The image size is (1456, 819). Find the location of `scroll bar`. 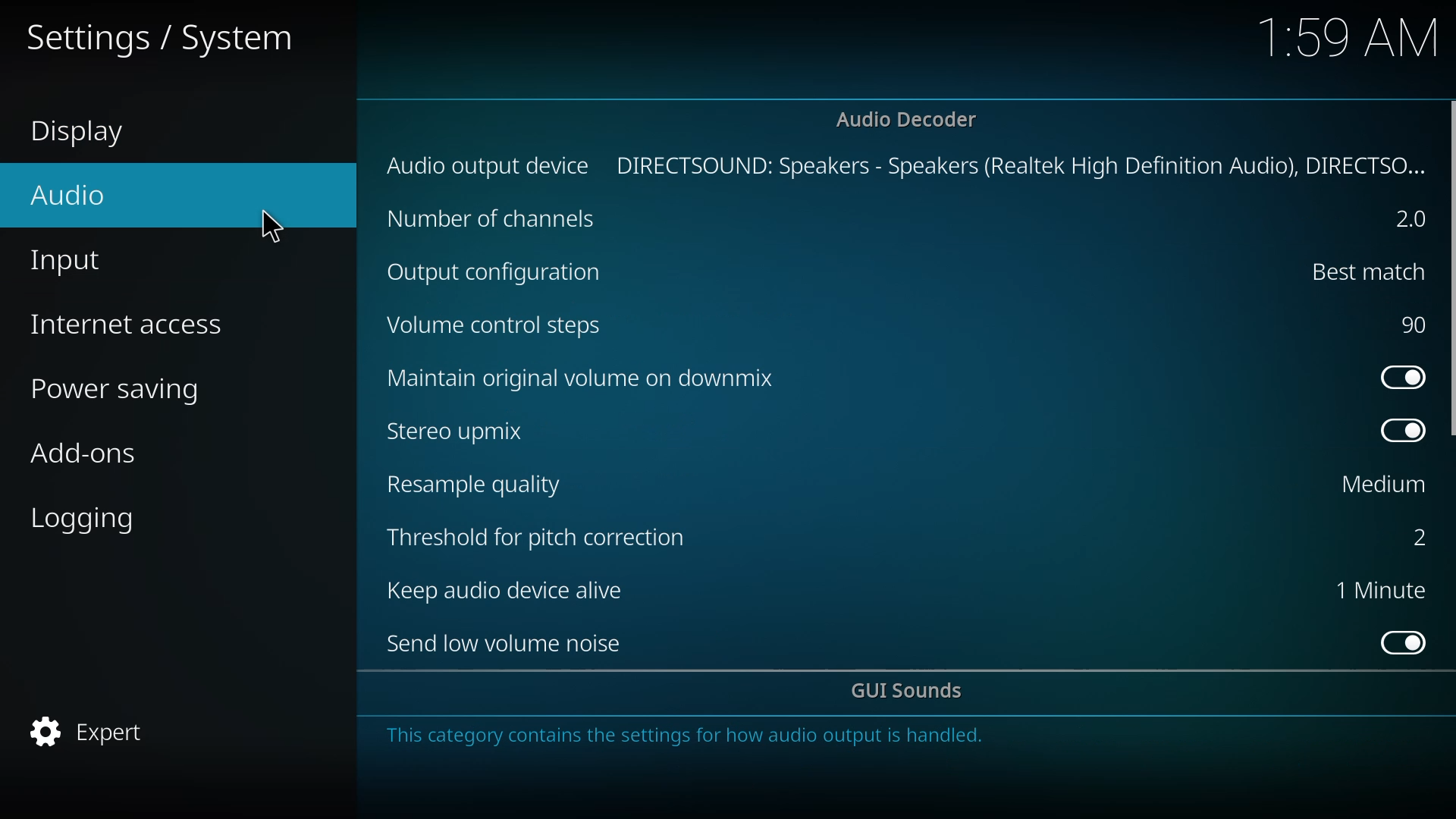

scroll bar is located at coordinates (1454, 272).